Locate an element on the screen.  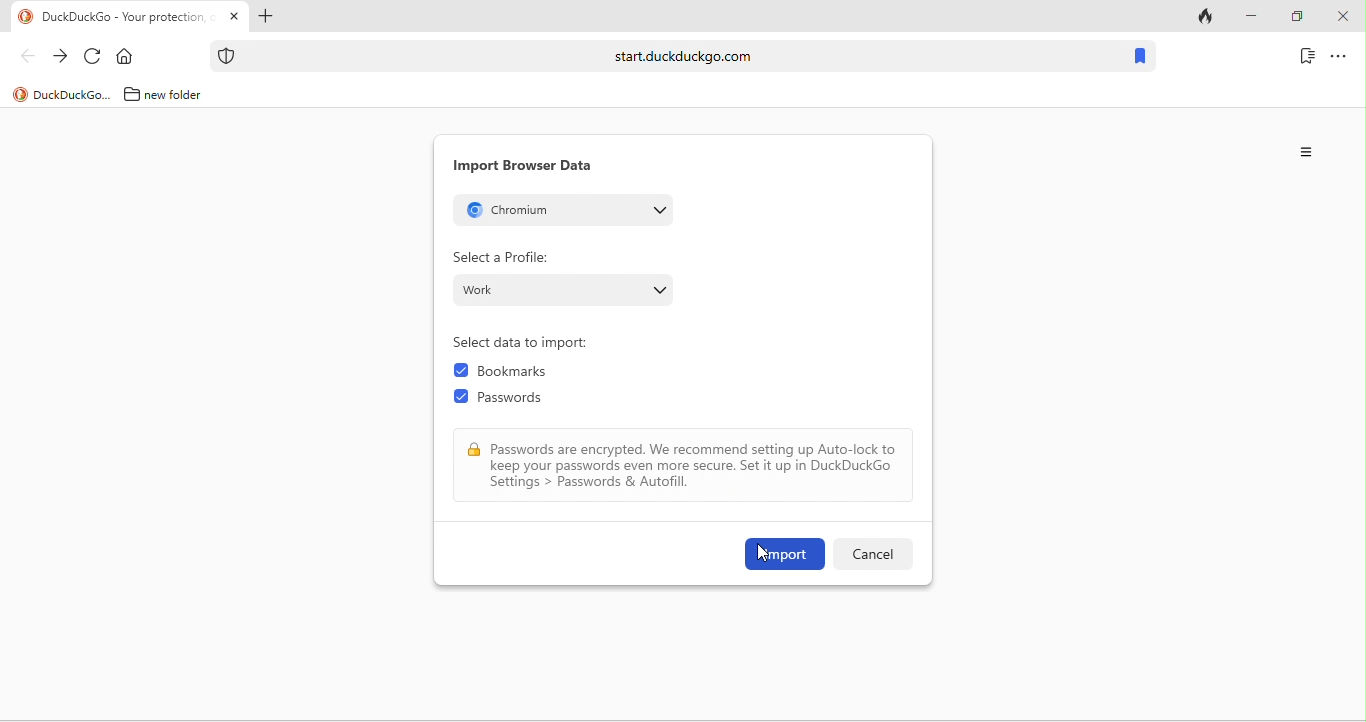
select profile is located at coordinates (564, 289).